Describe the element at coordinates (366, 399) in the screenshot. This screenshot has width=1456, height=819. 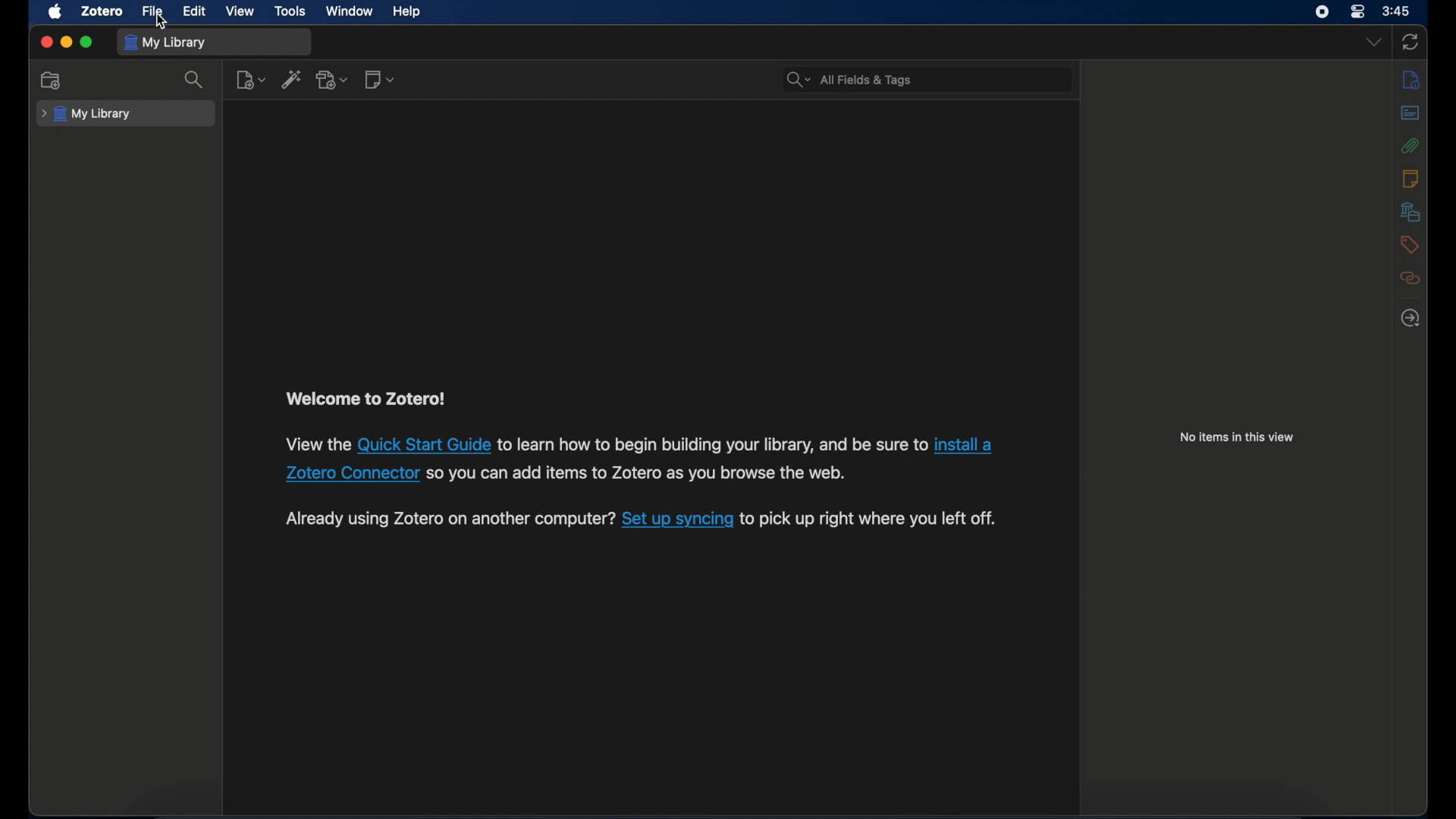
I see `welcome to zotero` at that location.